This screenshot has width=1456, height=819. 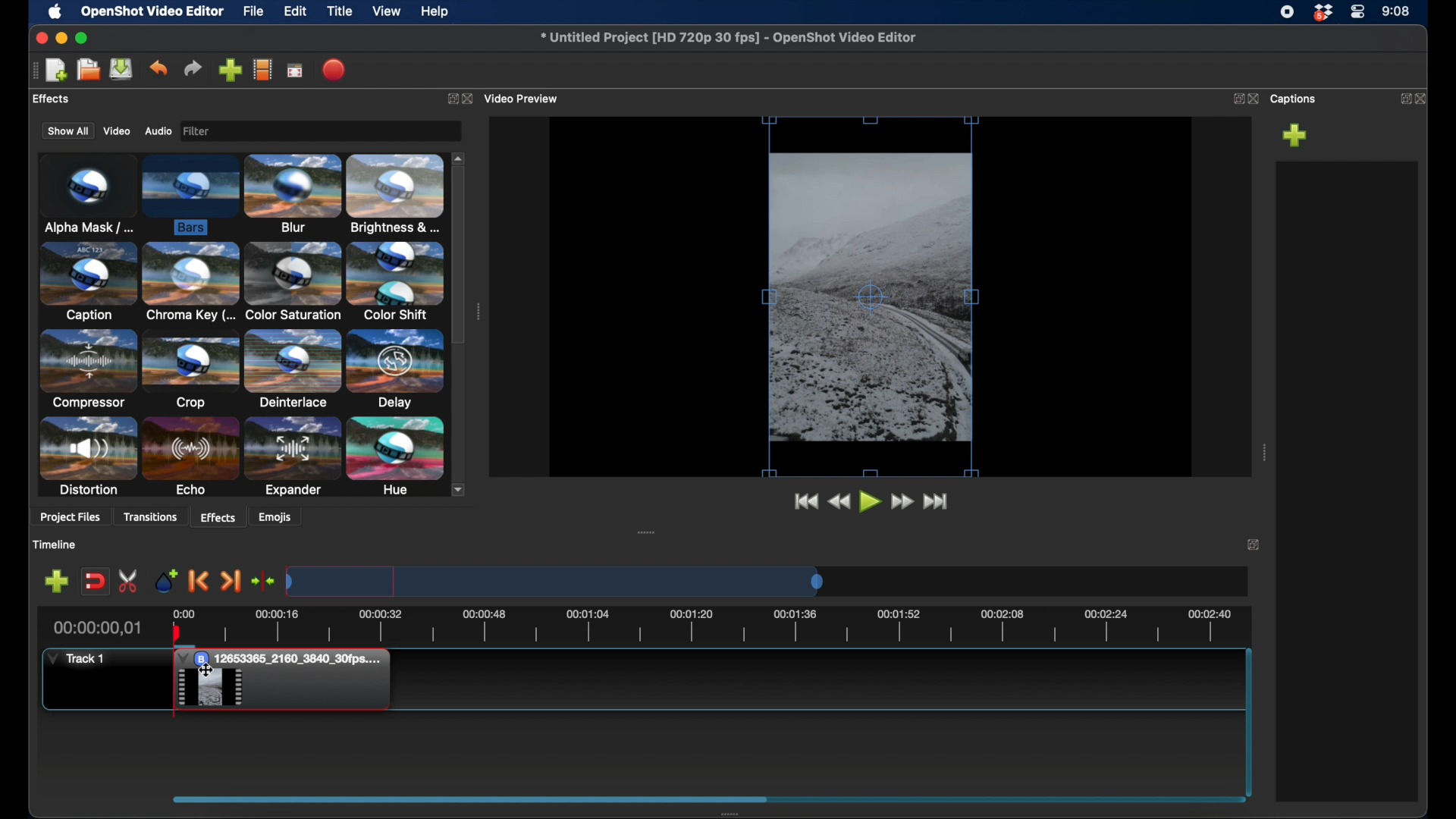 What do you see at coordinates (204, 658) in the screenshot?
I see `bar effect` at bounding box center [204, 658].